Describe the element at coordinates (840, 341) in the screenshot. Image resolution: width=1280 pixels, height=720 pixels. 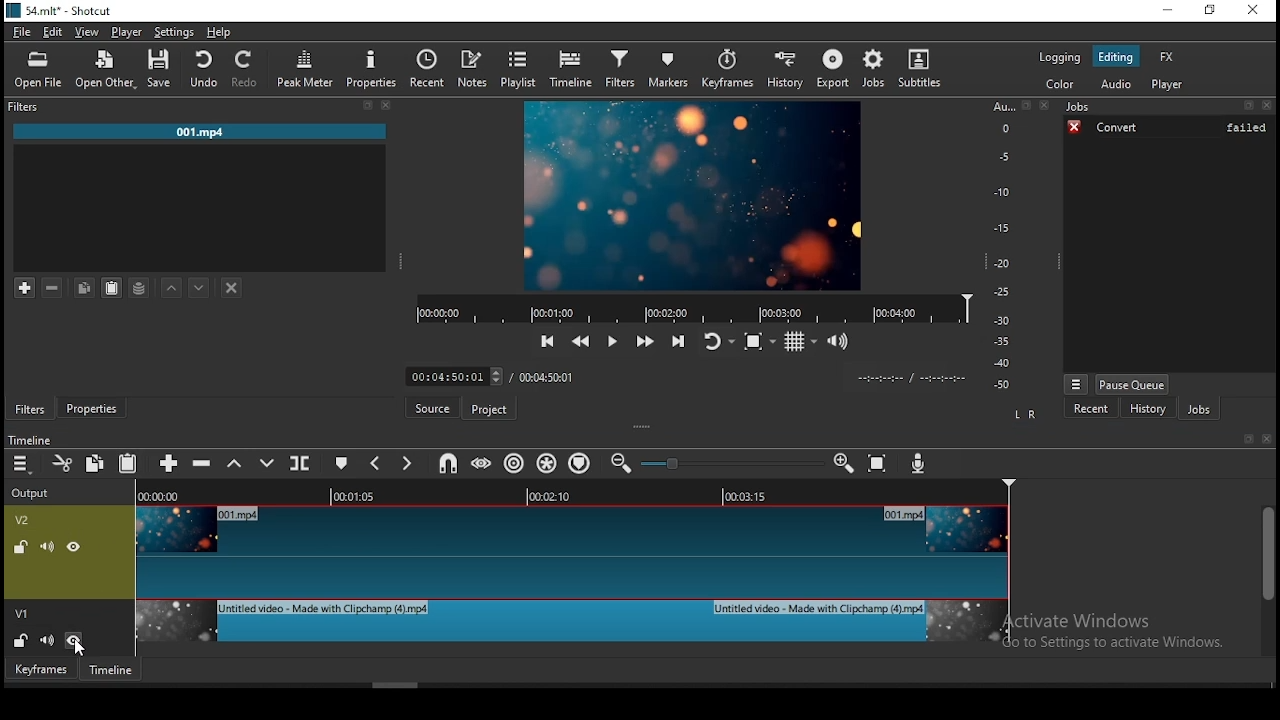
I see `volume control` at that location.